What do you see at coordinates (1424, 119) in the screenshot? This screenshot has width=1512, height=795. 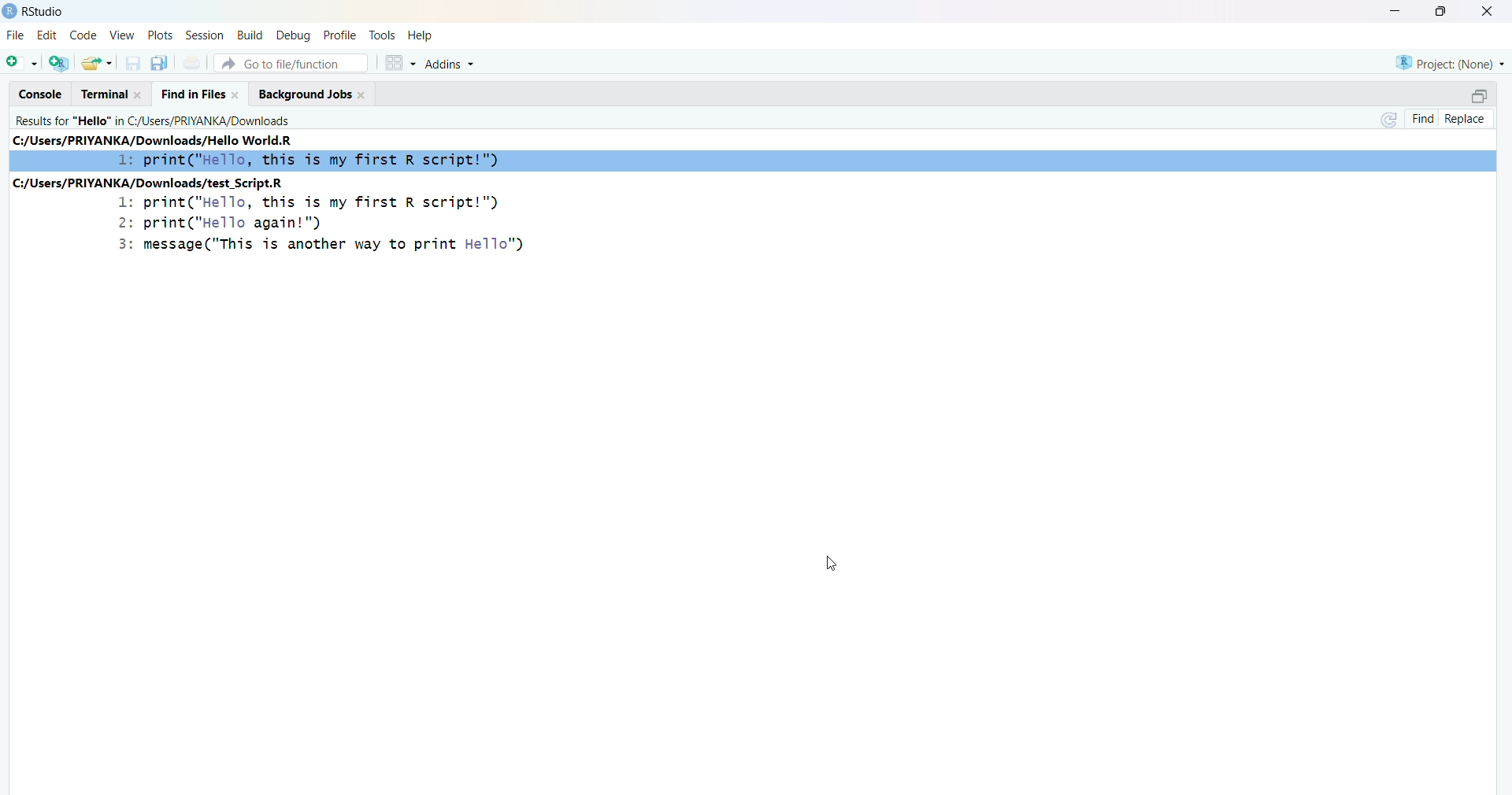 I see `Find` at bounding box center [1424, 119].